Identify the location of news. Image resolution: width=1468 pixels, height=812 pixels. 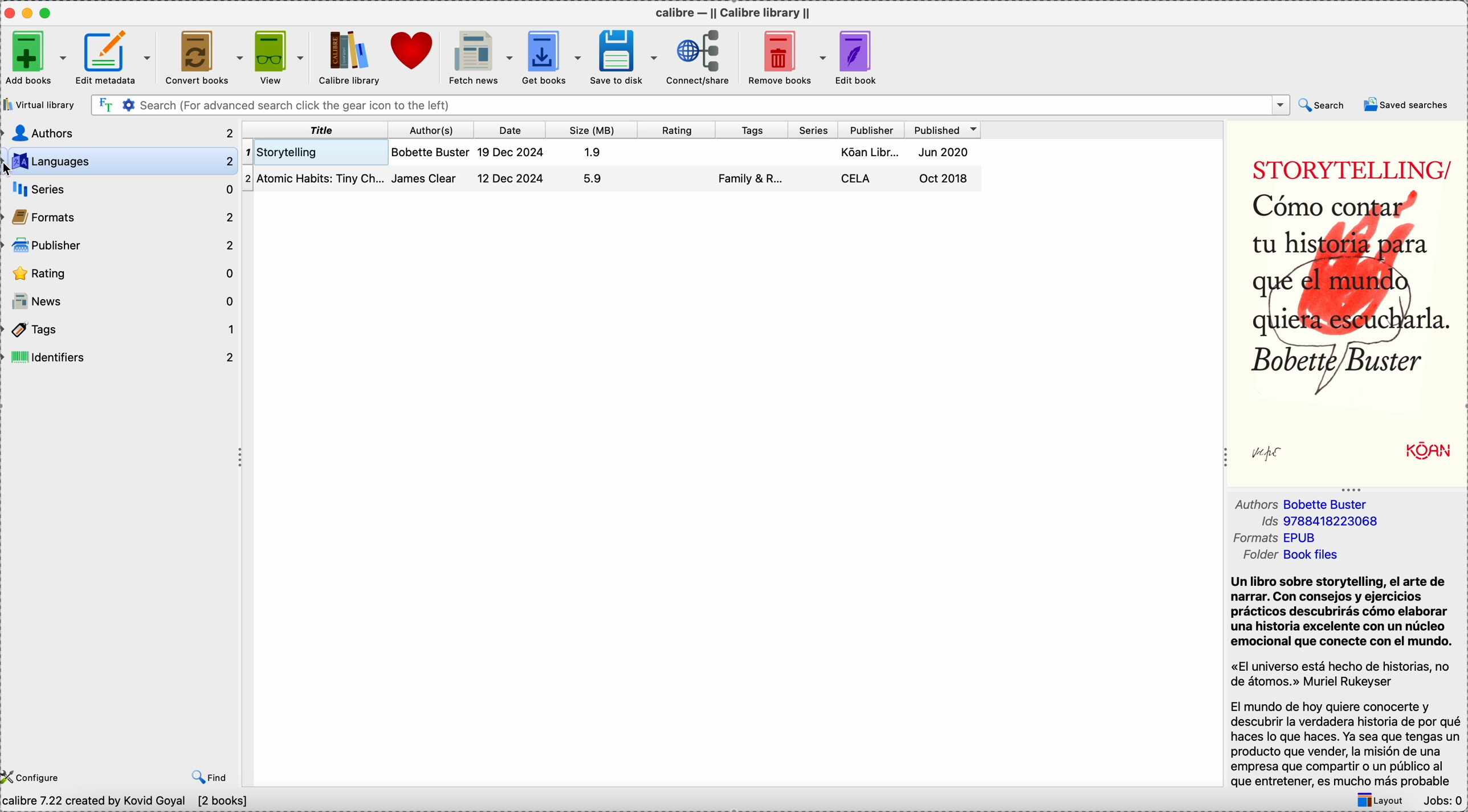
(122, 300).